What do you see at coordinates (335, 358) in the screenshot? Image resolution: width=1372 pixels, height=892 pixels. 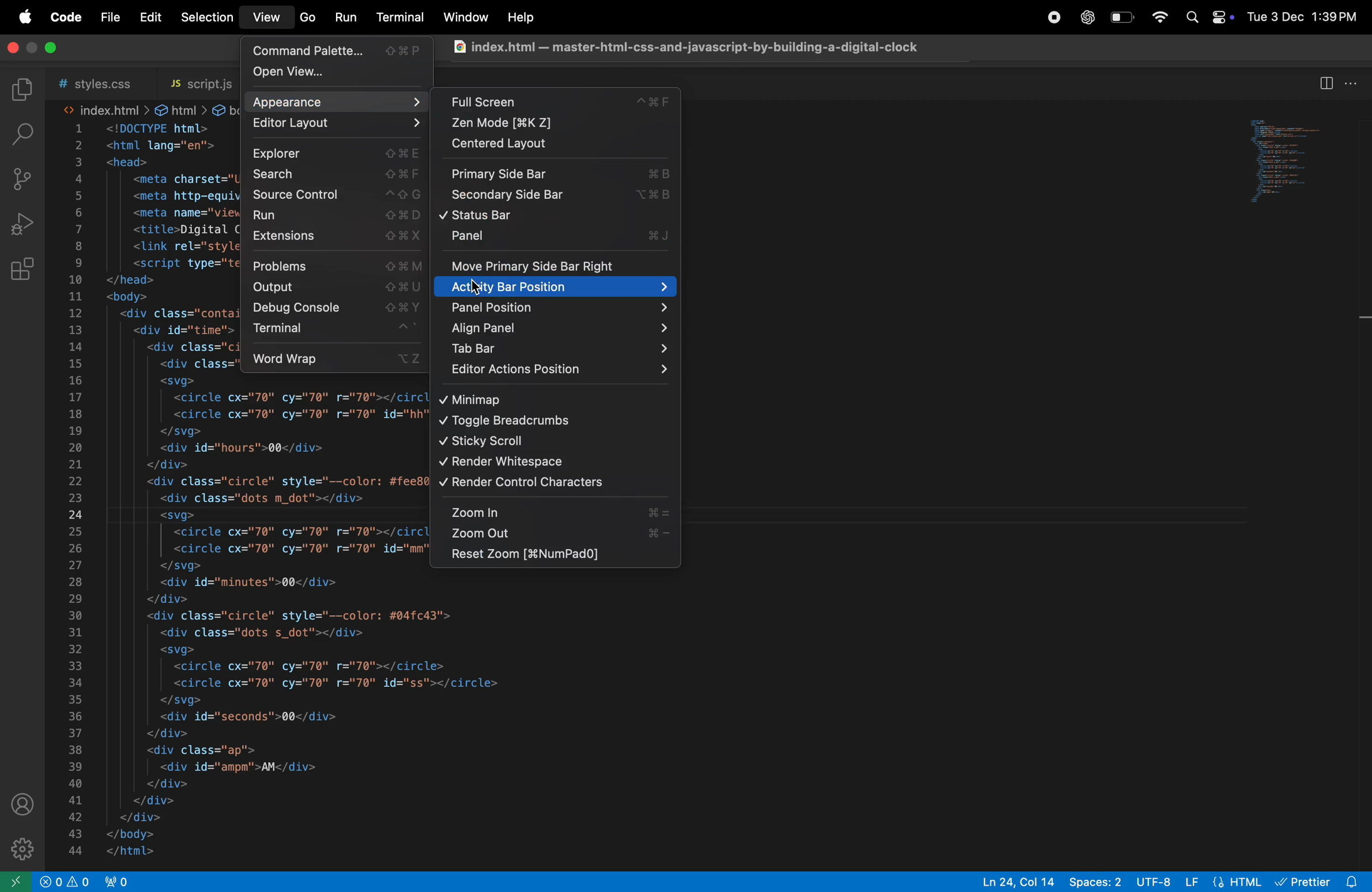 I see `word wrap` at bounding box center [335, 358].